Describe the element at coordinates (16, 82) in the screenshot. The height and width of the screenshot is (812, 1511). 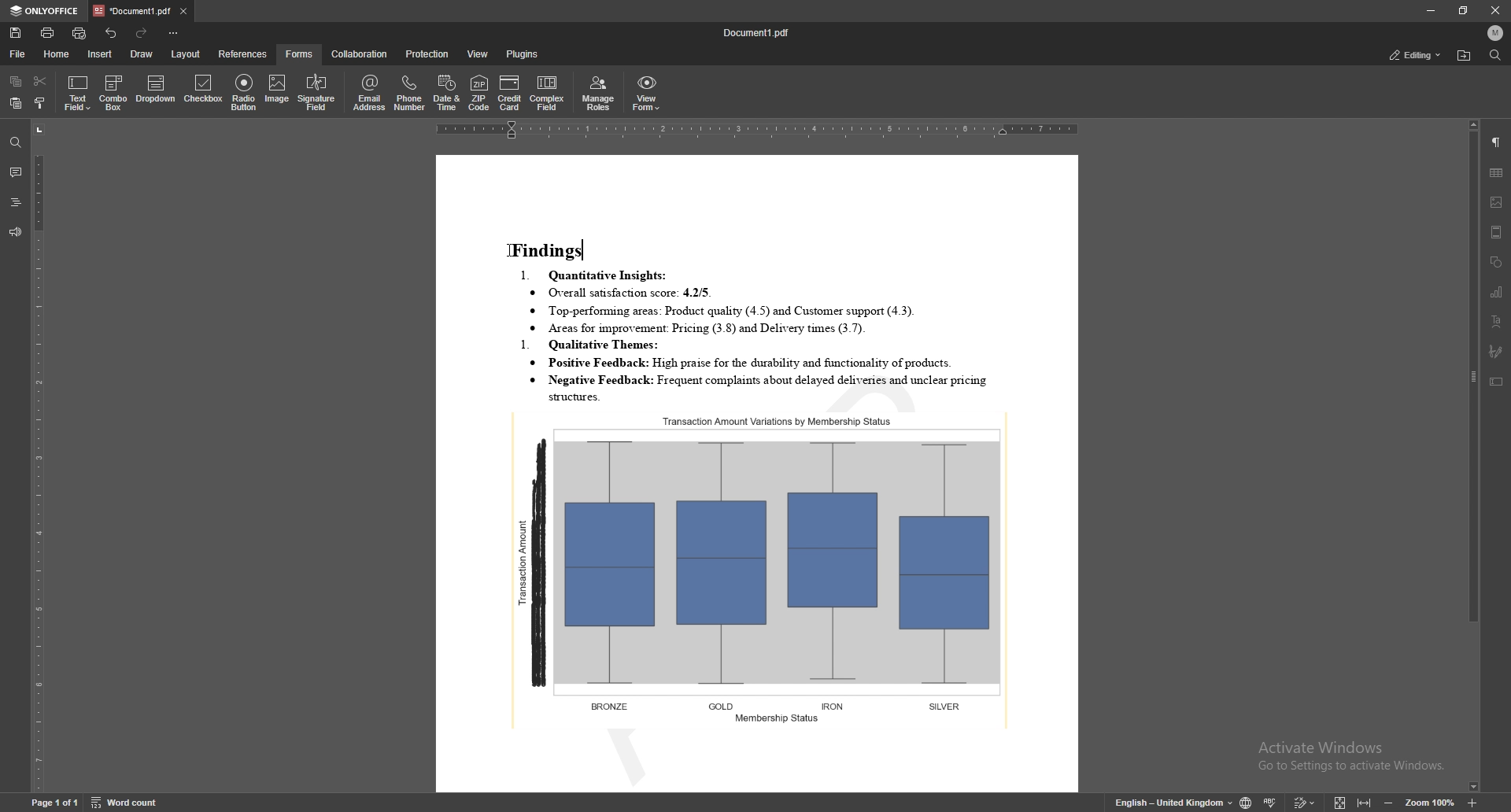
I see `copy` at that location.